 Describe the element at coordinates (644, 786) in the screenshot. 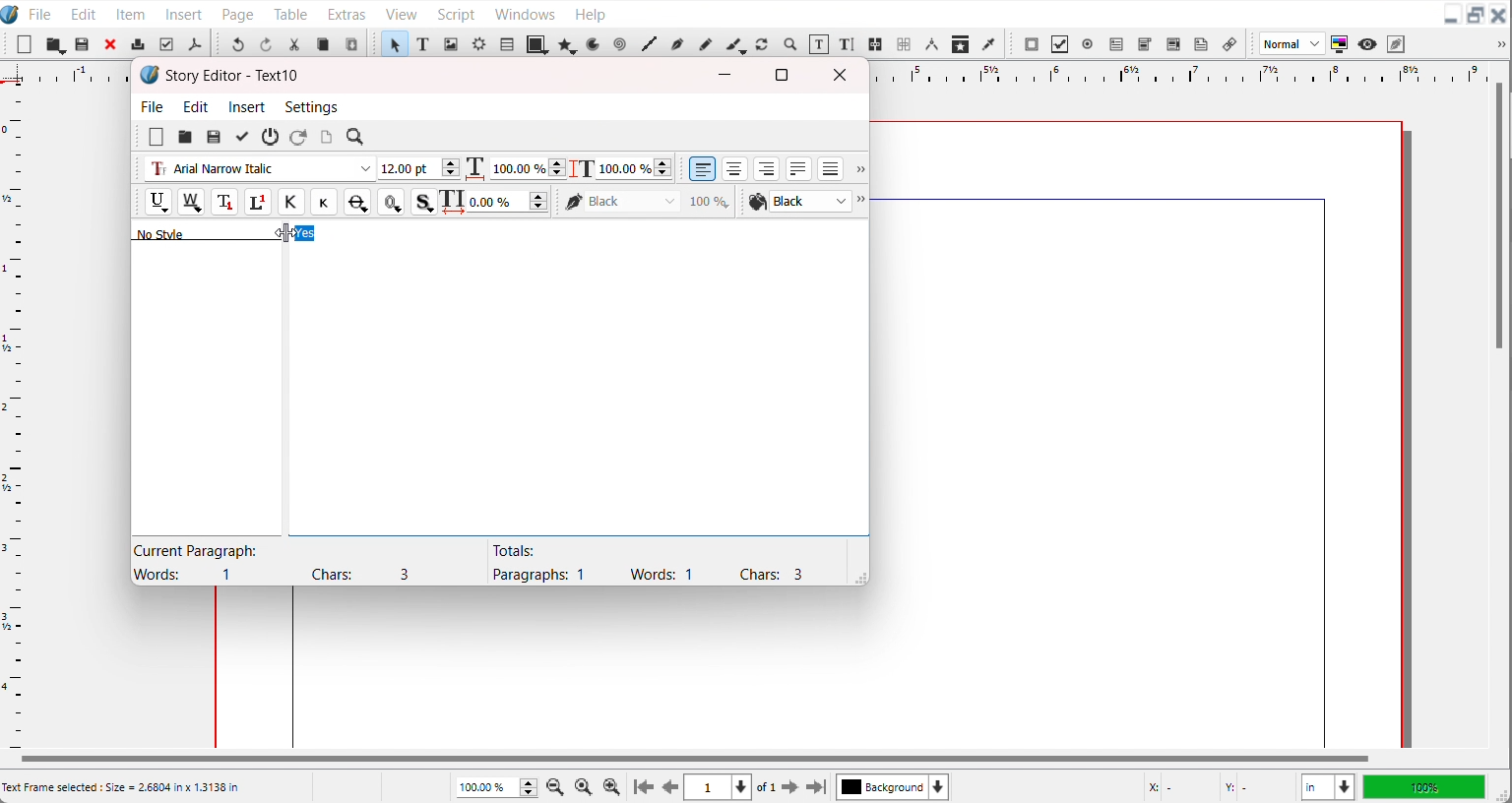

I see `Go to first page` at that location.